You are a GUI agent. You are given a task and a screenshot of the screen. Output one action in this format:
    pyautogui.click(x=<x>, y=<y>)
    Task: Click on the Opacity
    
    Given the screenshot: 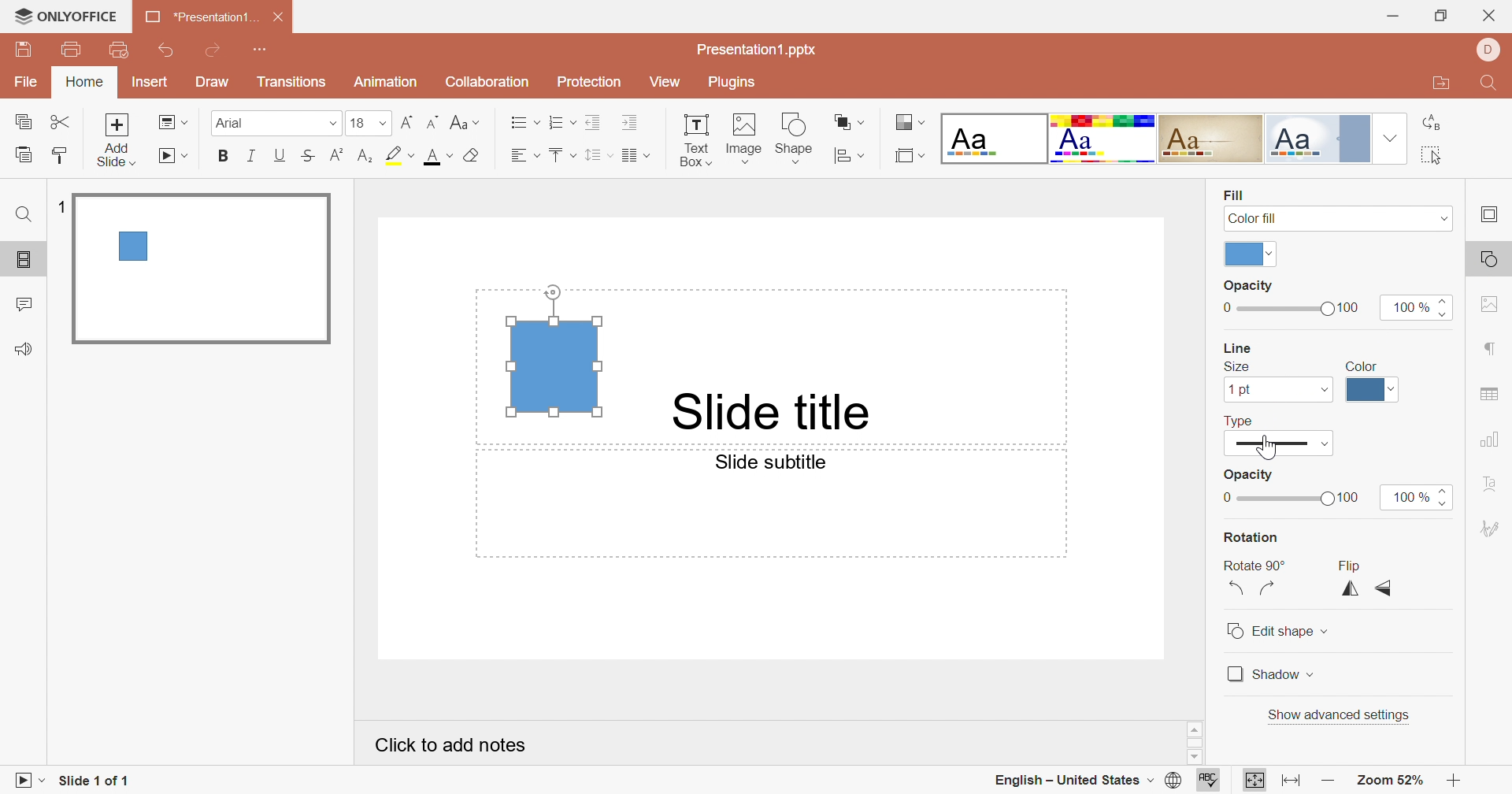 What is the action you would take?
    pyautogui.click(x=1247, y=288)
    